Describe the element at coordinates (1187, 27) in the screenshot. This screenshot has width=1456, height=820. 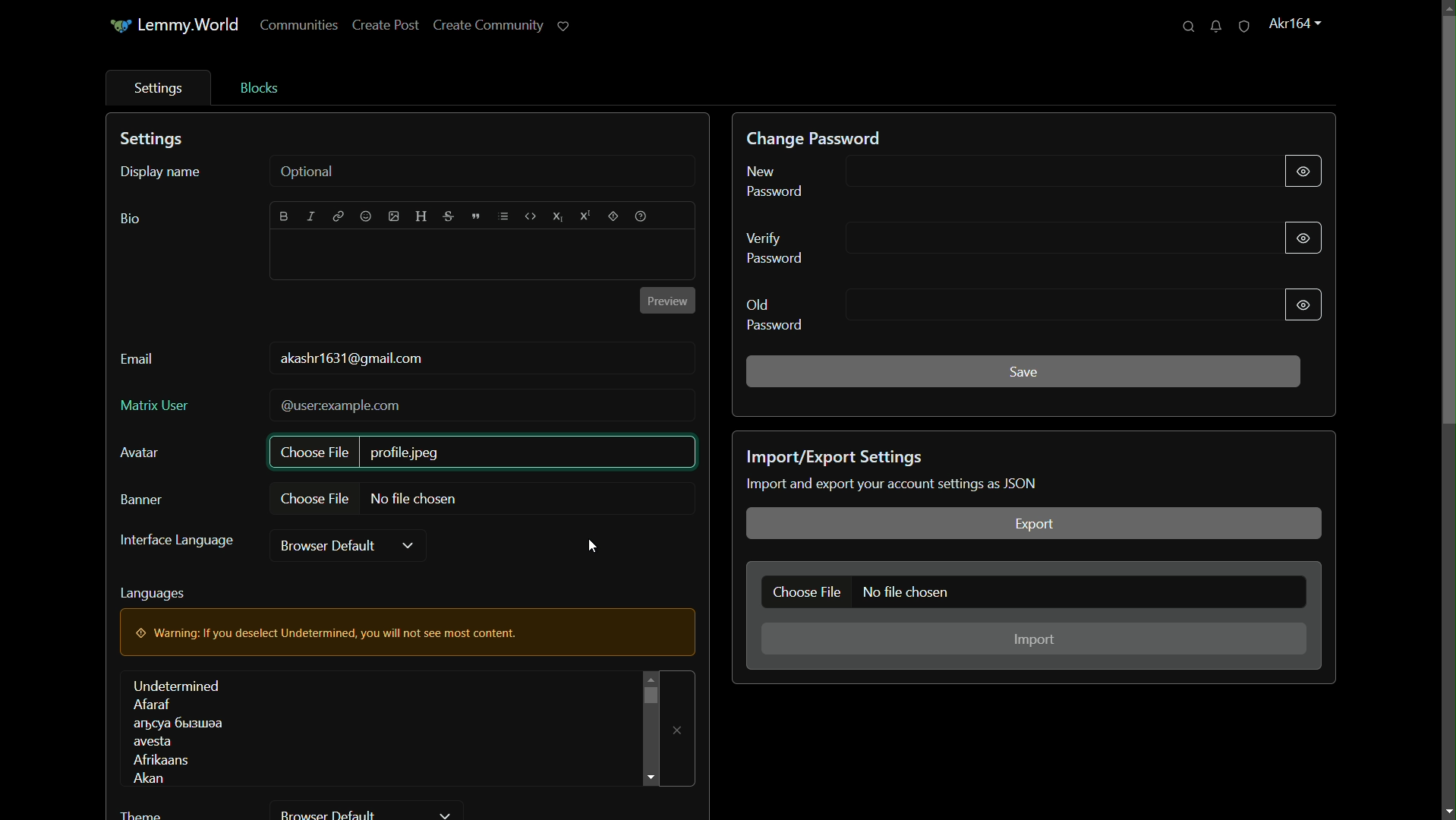
I see `search` at that location.